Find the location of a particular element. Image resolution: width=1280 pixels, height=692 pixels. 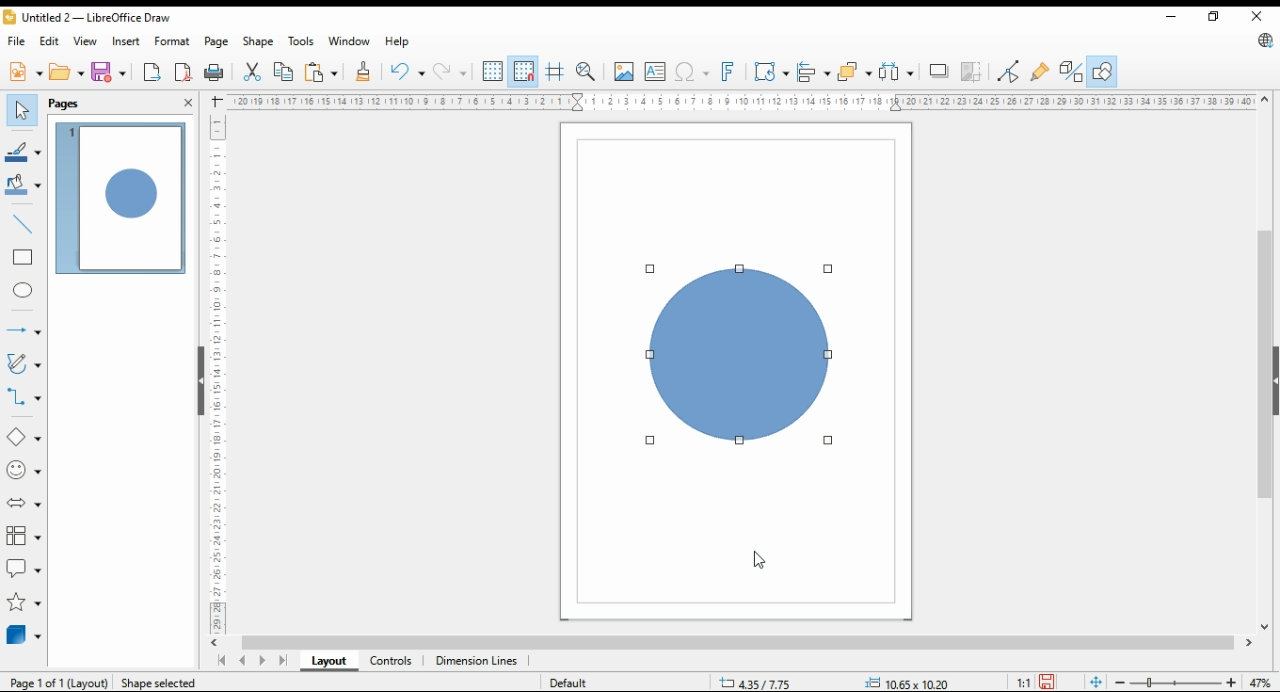

page is located at coordinates (216, 42).